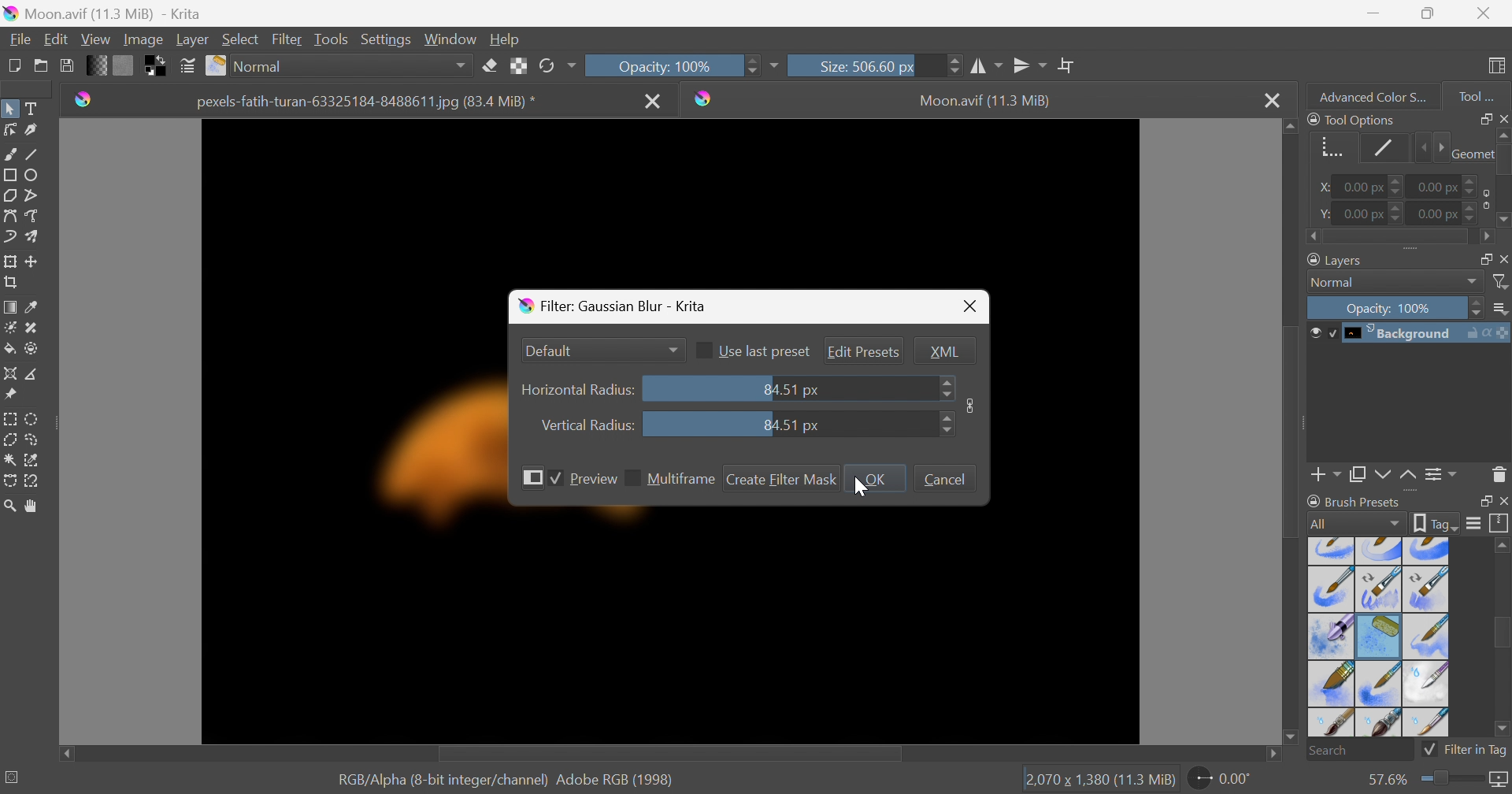 The height and width of the screenshot is (794, 1512). Describe the element at coordinates (1377, 13) in the screenshot. I see `` at that location.